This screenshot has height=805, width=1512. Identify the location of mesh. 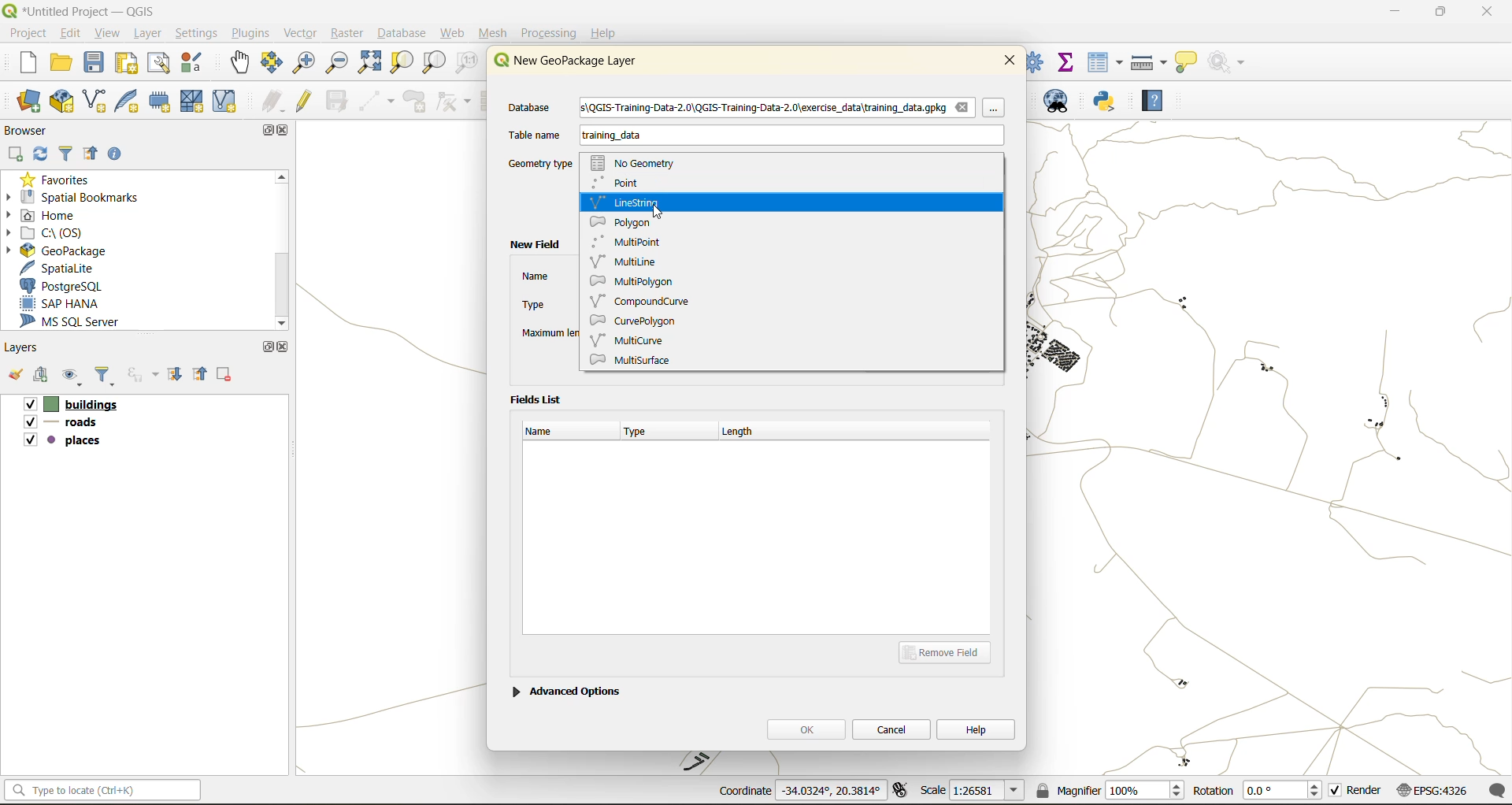
(194, 101).